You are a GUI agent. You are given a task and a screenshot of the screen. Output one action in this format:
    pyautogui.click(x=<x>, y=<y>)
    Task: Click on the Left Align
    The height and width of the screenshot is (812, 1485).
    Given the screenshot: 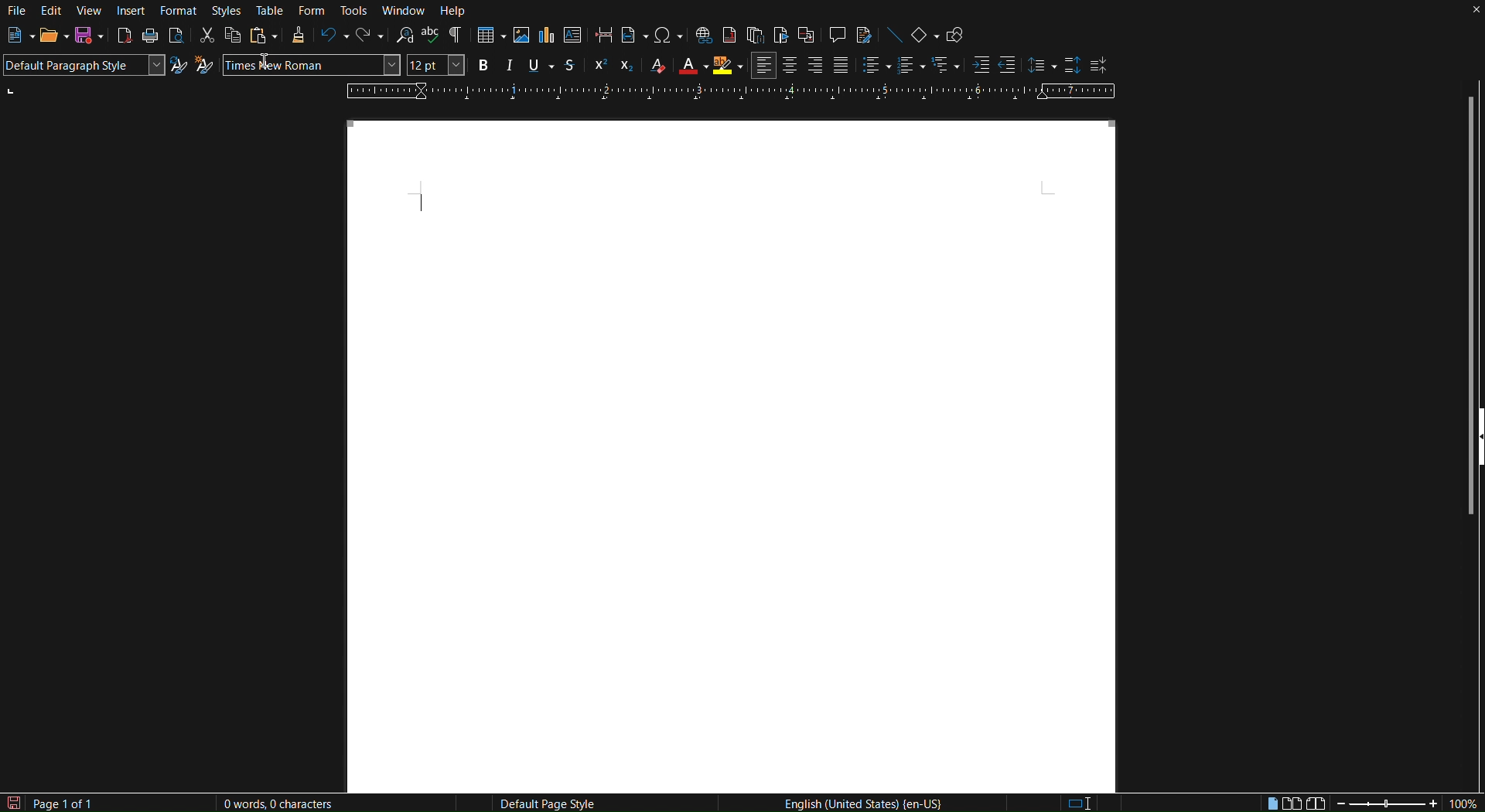 What is the action you would take?
    pyautogui.click(x=764, y=66)
    